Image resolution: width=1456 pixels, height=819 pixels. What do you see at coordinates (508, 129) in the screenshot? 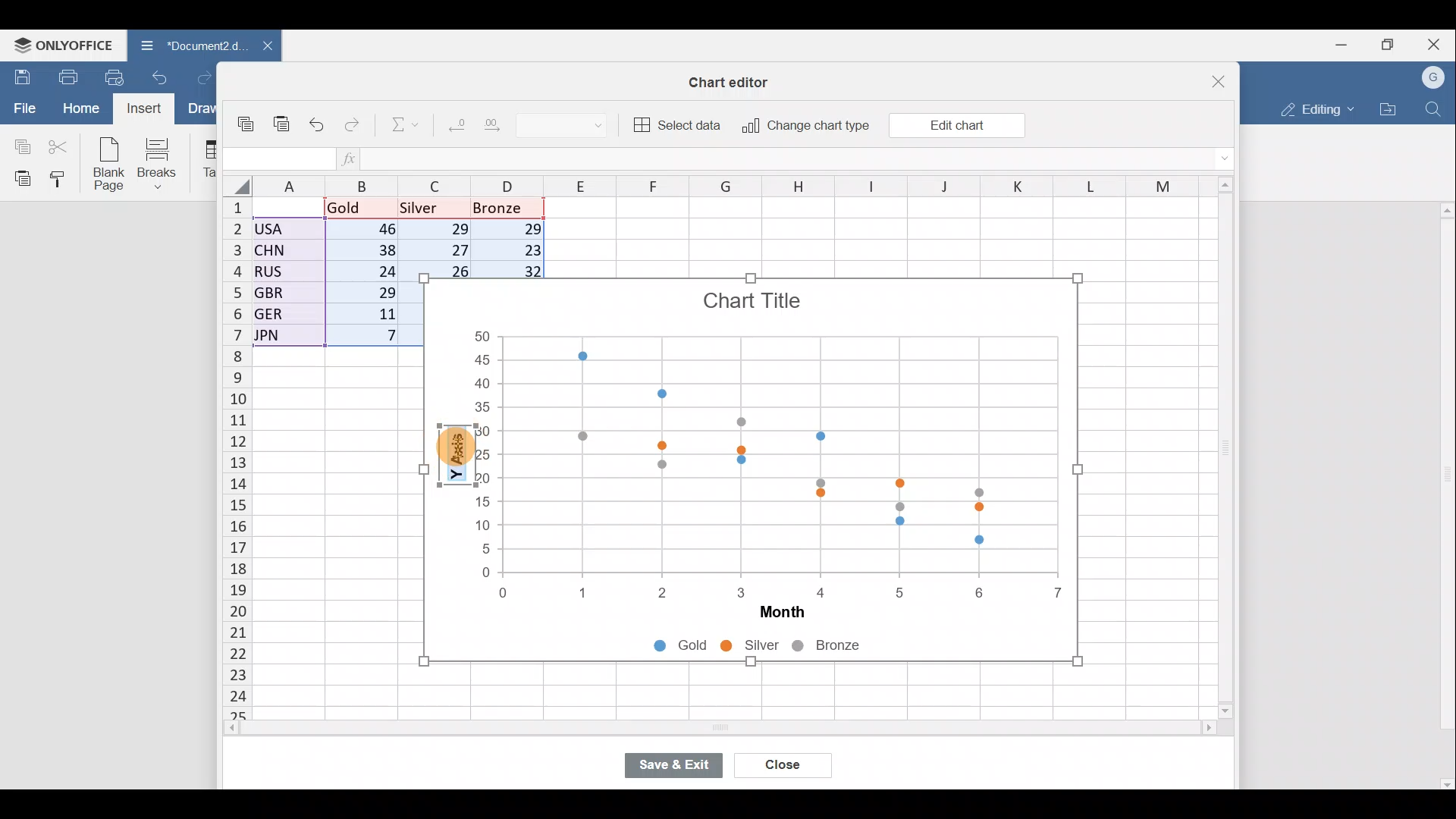
I see `Increase decimal` at bounding box center [508, 129].